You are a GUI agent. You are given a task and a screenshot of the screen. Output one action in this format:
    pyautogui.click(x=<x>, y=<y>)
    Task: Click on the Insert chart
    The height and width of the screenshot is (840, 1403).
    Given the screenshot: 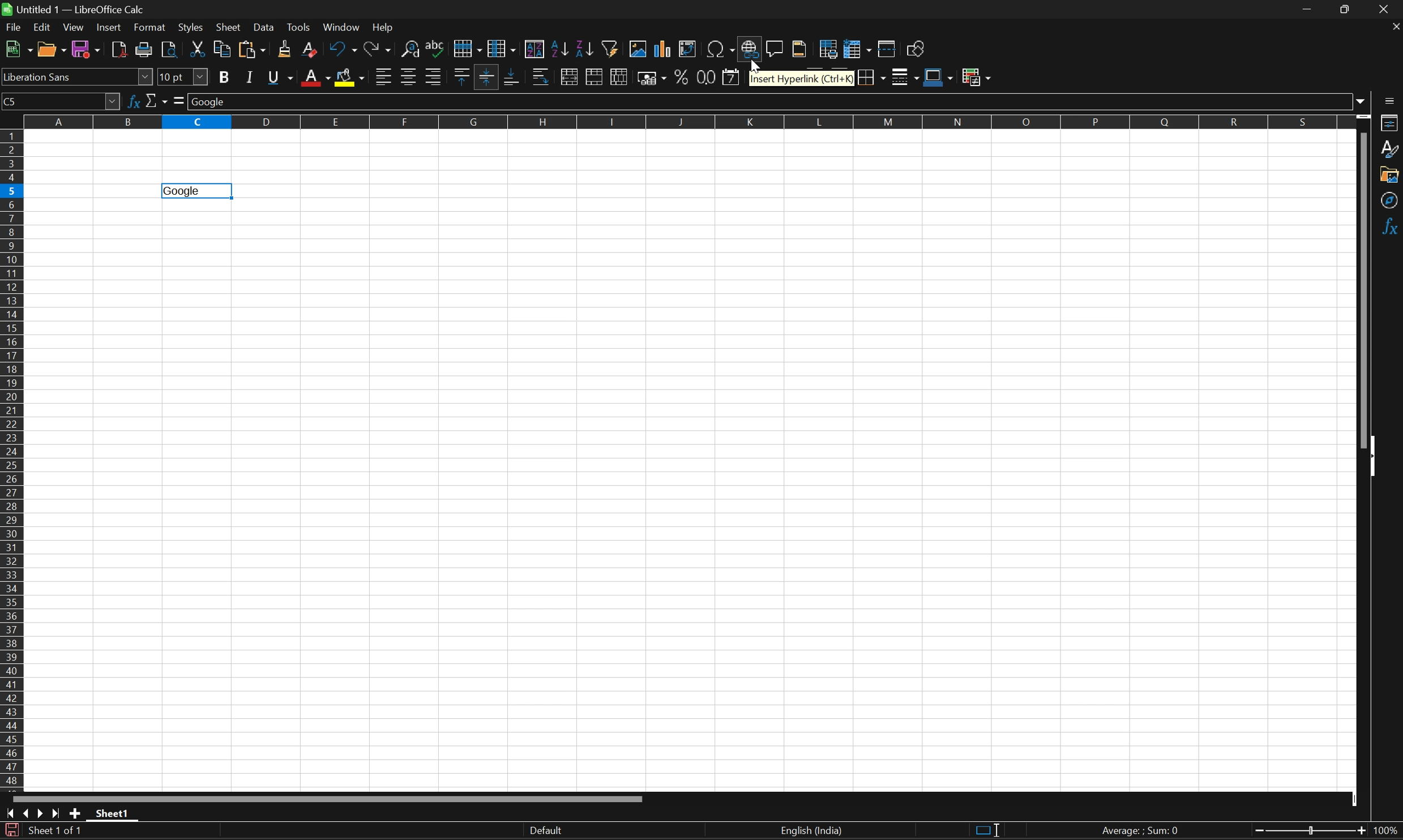 What is the action you would take?
    pyautogui.click(x=661, y=48)
    